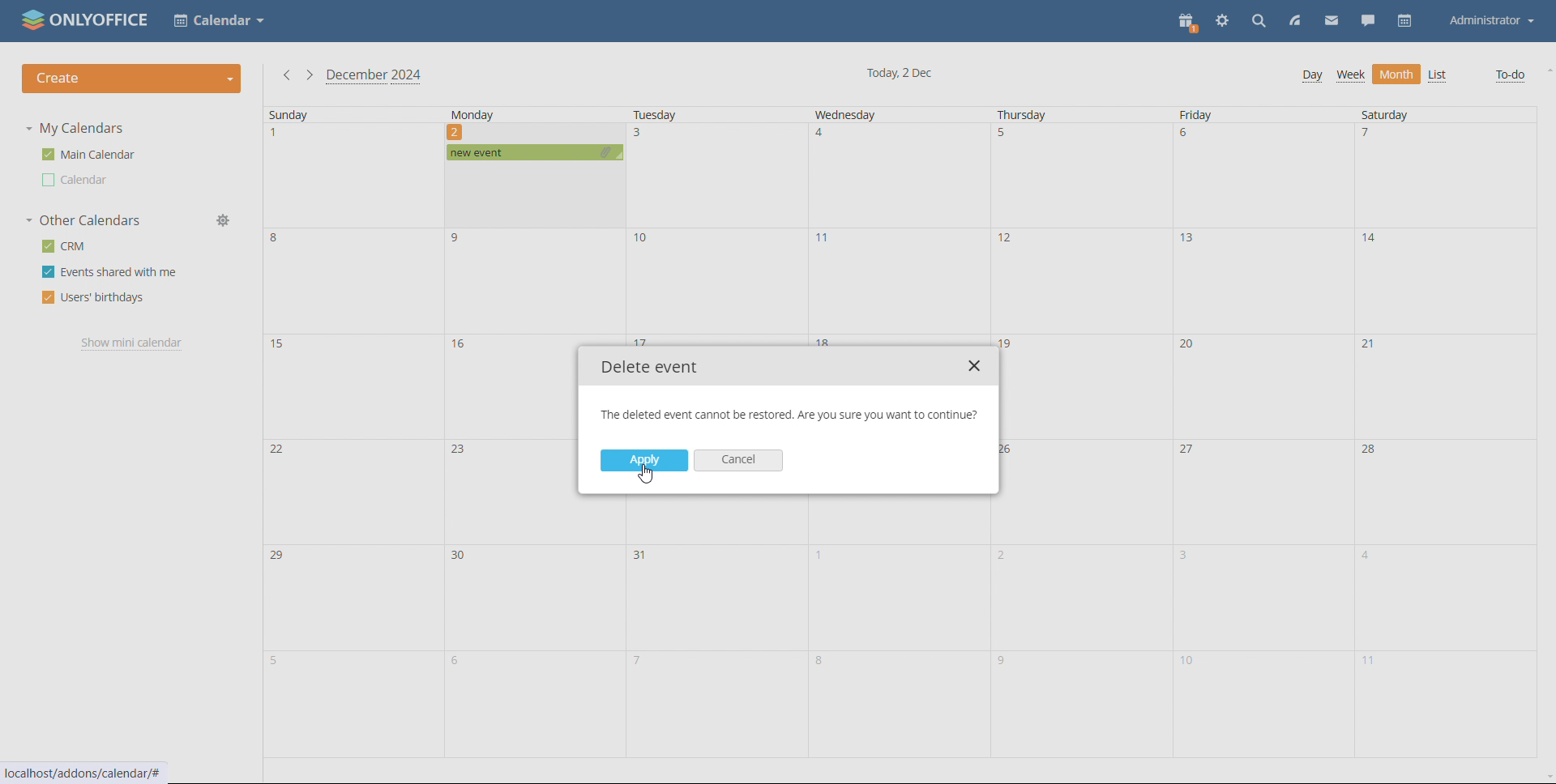 This screenshot has width=1556, height=784. What do you see at coordinates (536, 151) in the screenshot?
I see `new event` at bounding box center [536, 151].